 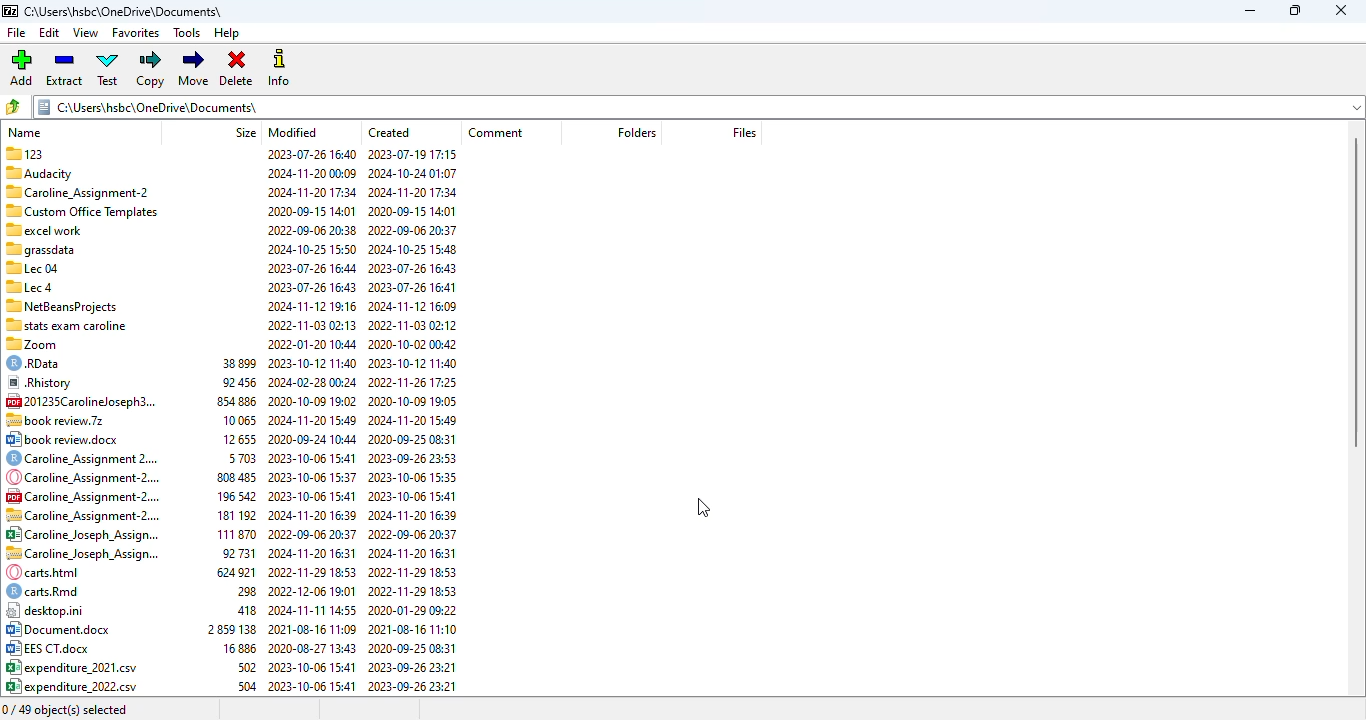 I want to click on | Caroline Joseph Assigi¥, 111870 2022-09-06 20:37 2022-09-06 20:37, so click(x=230, y=515).